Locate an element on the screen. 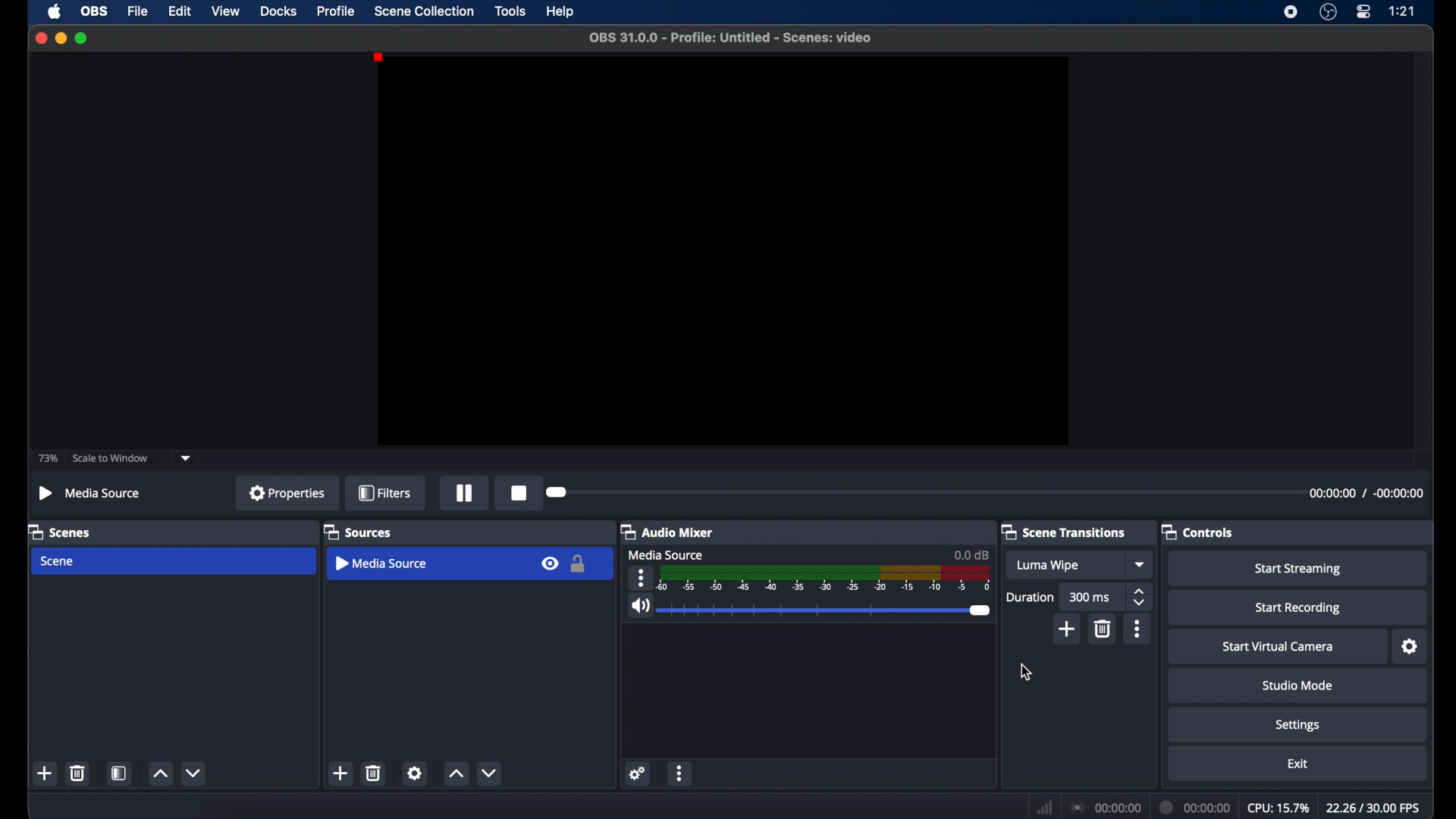 This screenshot has height=819, width=1456. profile is located at coordinates (337, 11).